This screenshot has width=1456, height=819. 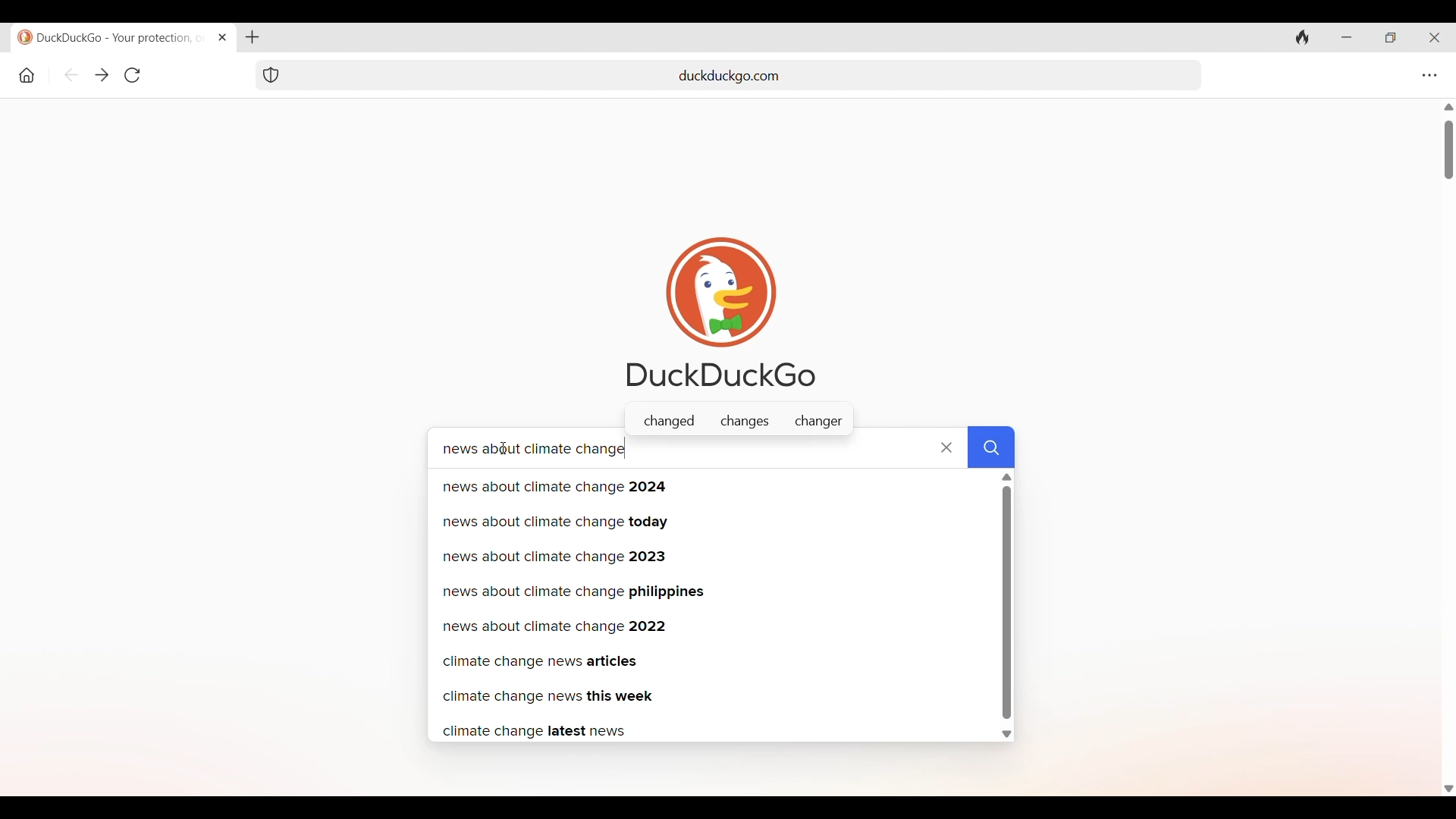 I want to click on duckduckgo - your protection, our priority., so click(x=101, y=38).